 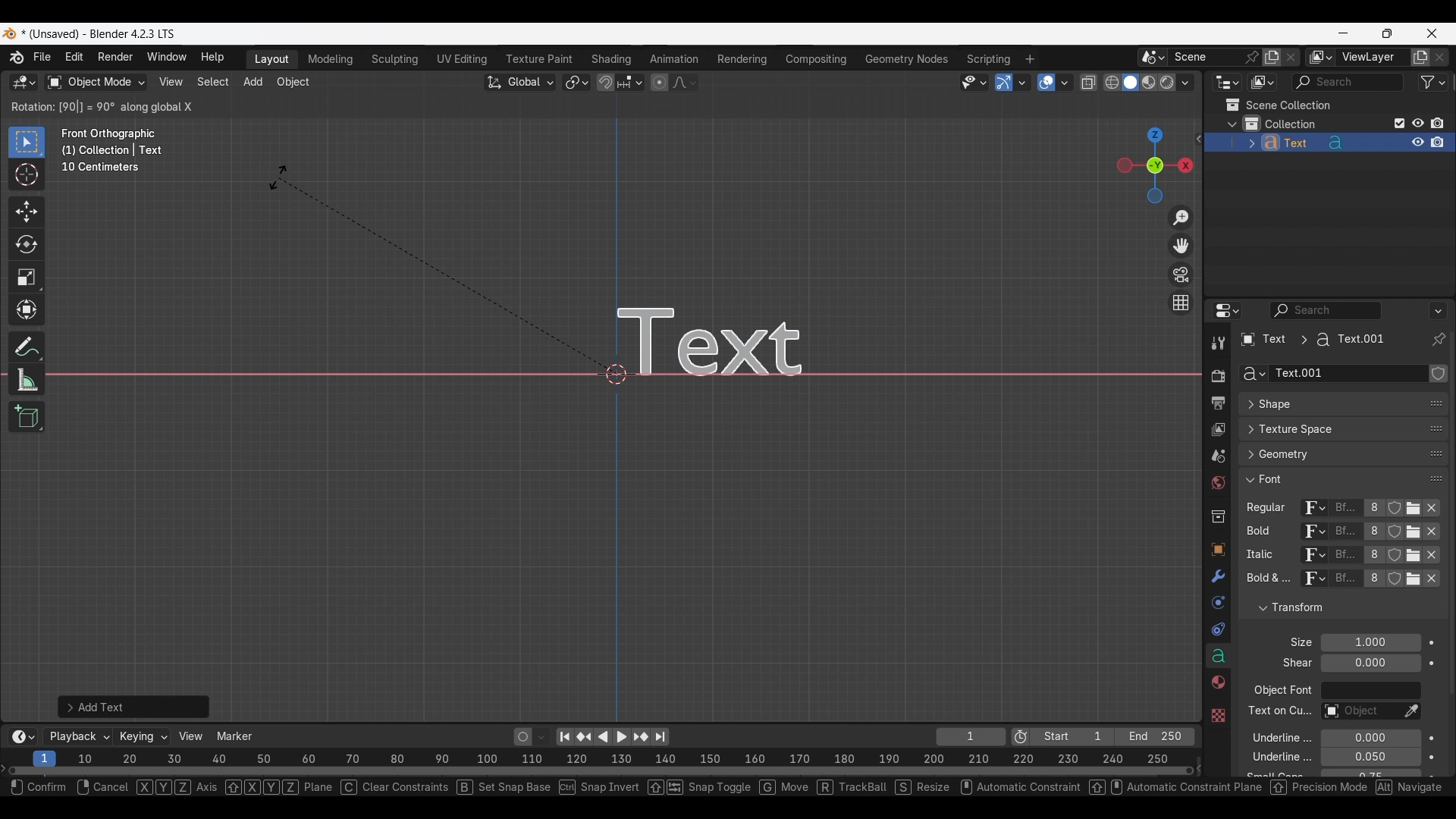 What do you see at coordinates (1218, 457) in the screenshot?
I see `Scene property, current selection` at bounding box center [1218, 457].